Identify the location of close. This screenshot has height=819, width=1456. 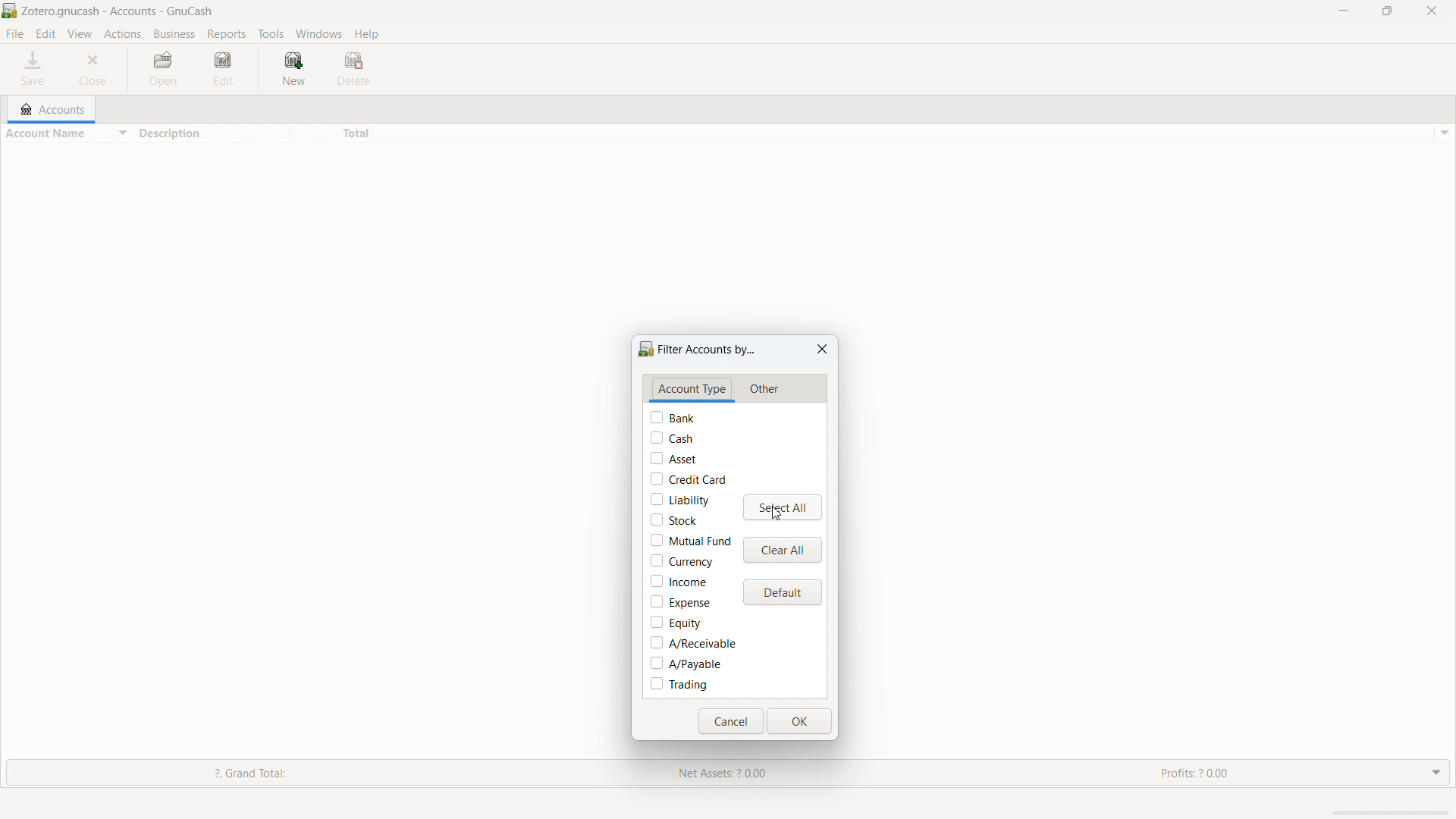
(823, 349).